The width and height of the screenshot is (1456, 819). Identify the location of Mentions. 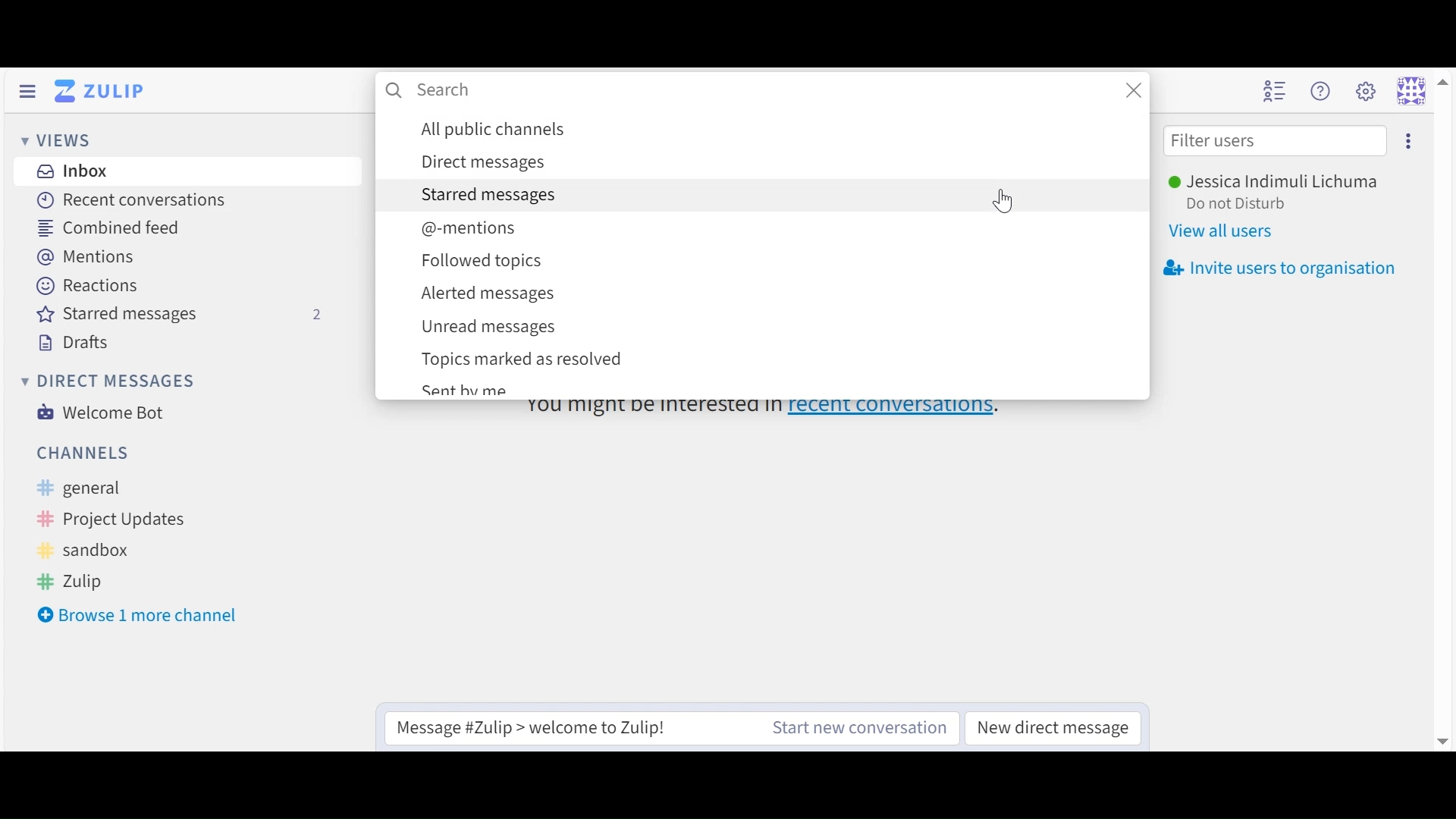
(83, 257).